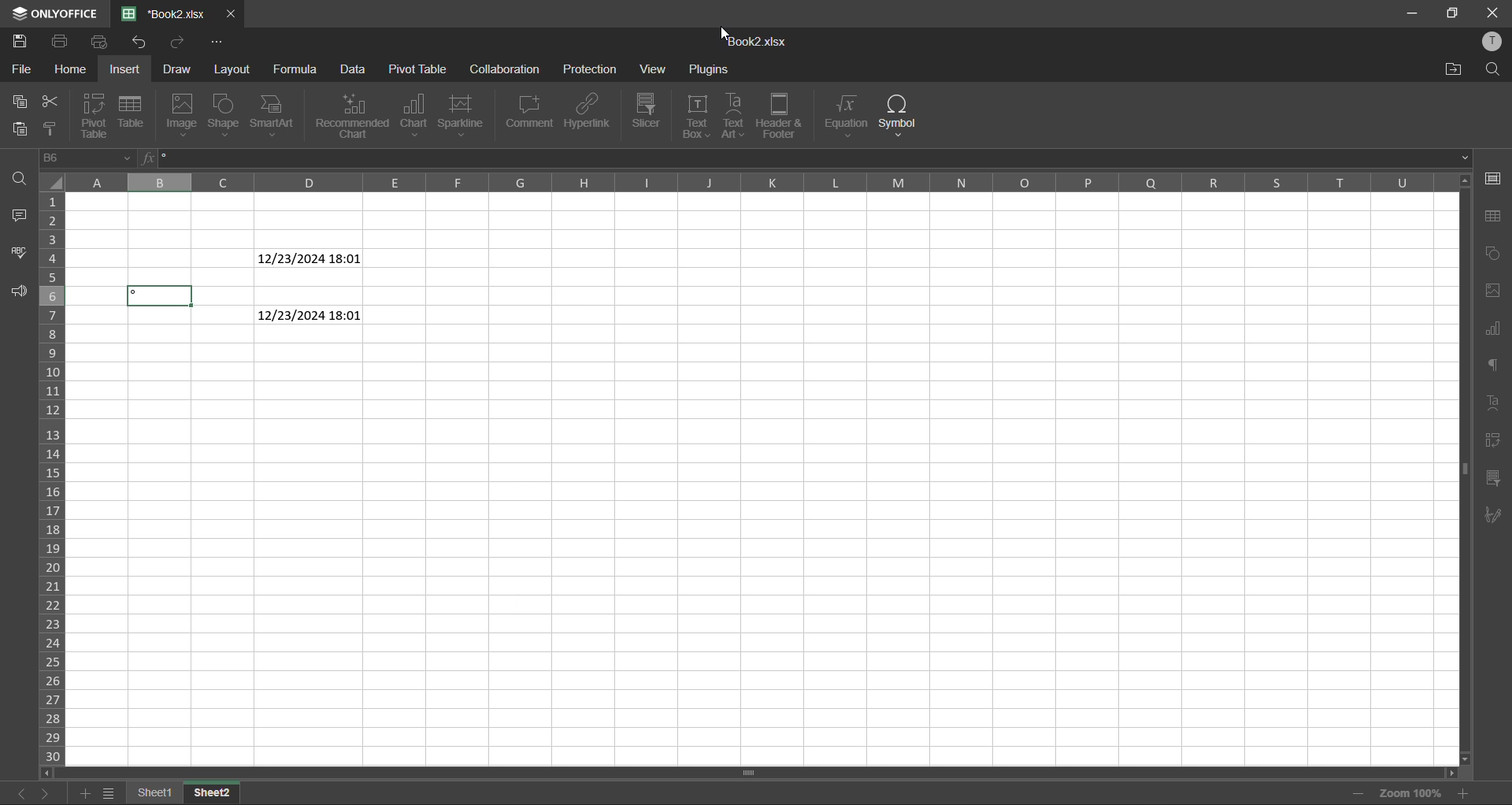 Image resolution: width=1512 pixels, height=805 pixels. What do you see at coordinates (1412, 792) in the screenshot?
I see `zoom factor` at bounding box center [1412, 792].